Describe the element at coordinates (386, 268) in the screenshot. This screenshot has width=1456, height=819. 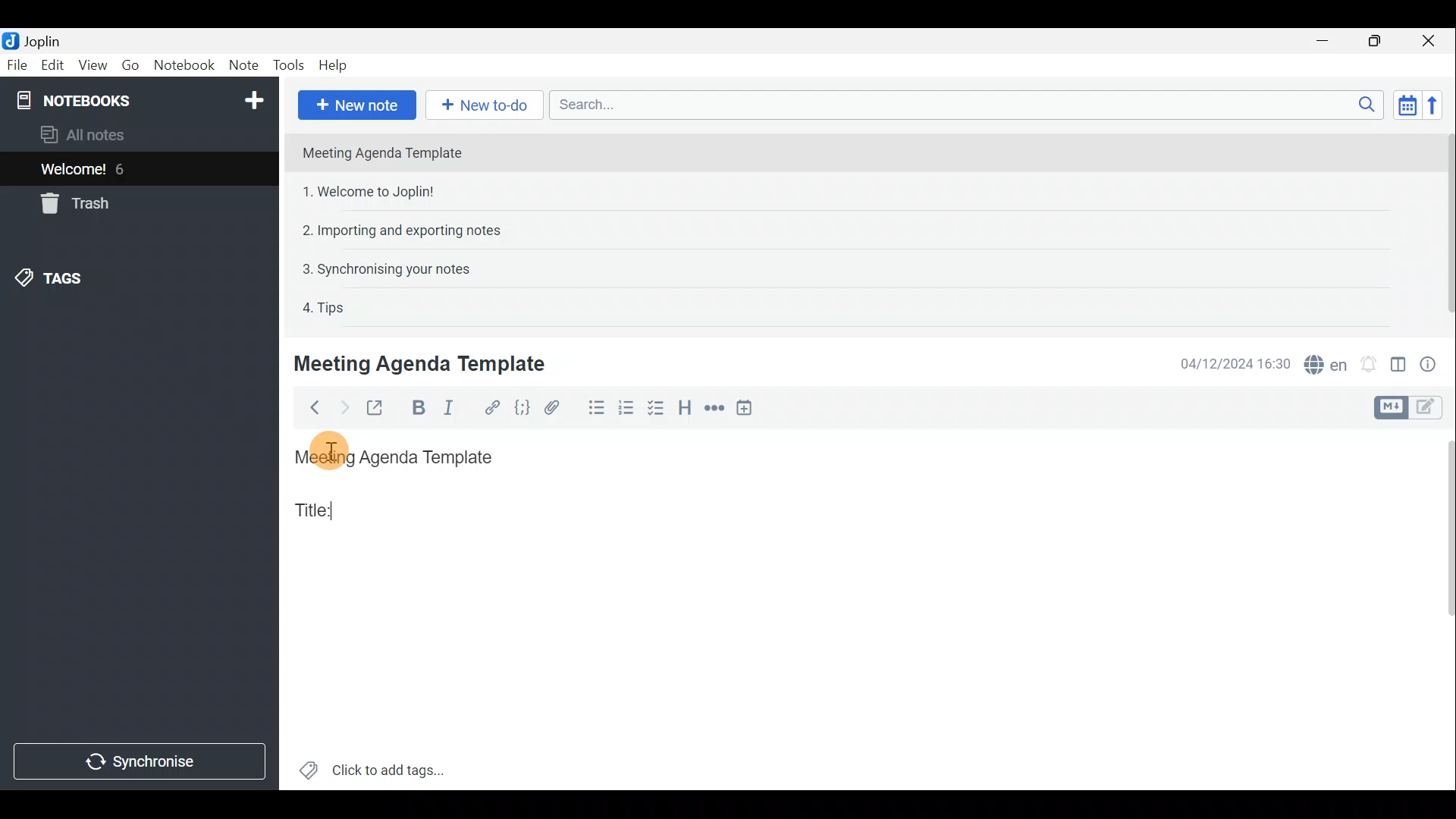
I see `3. Synchronising your notes` at that location.